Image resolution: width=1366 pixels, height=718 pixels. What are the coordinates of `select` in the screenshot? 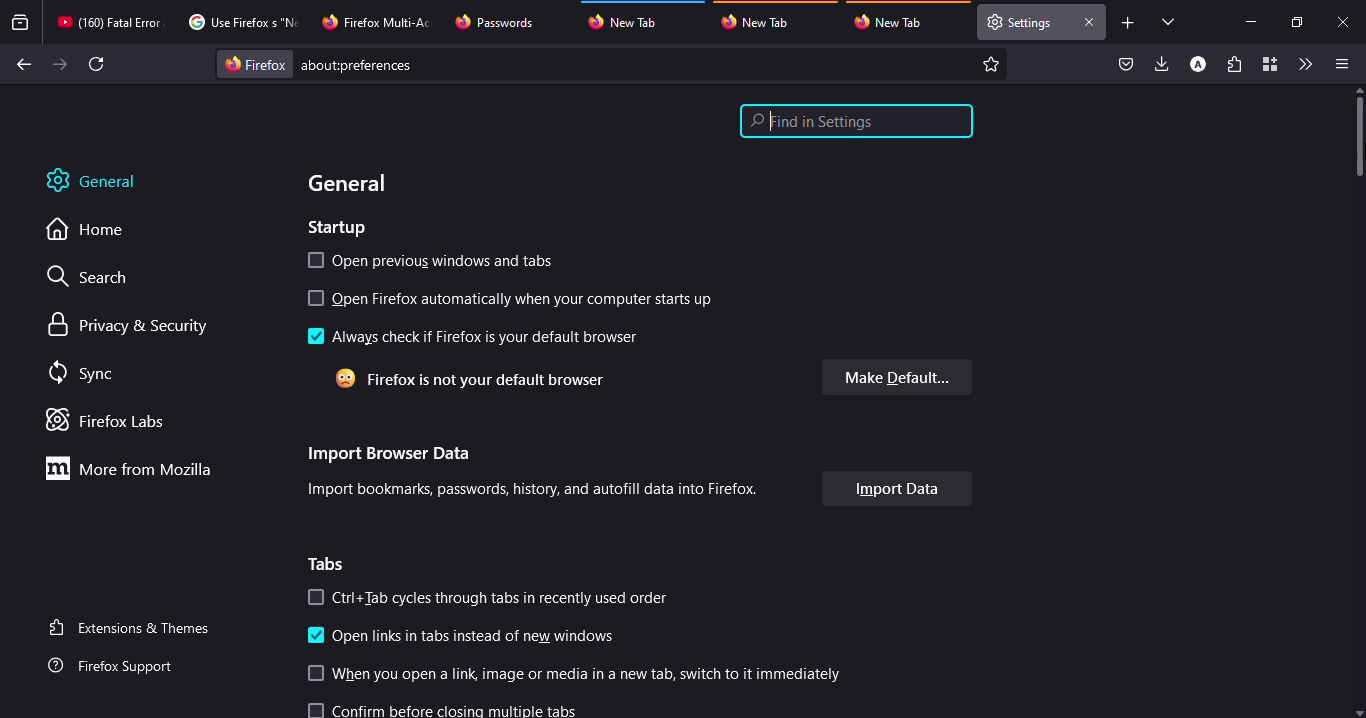 It's located at (316, 298).